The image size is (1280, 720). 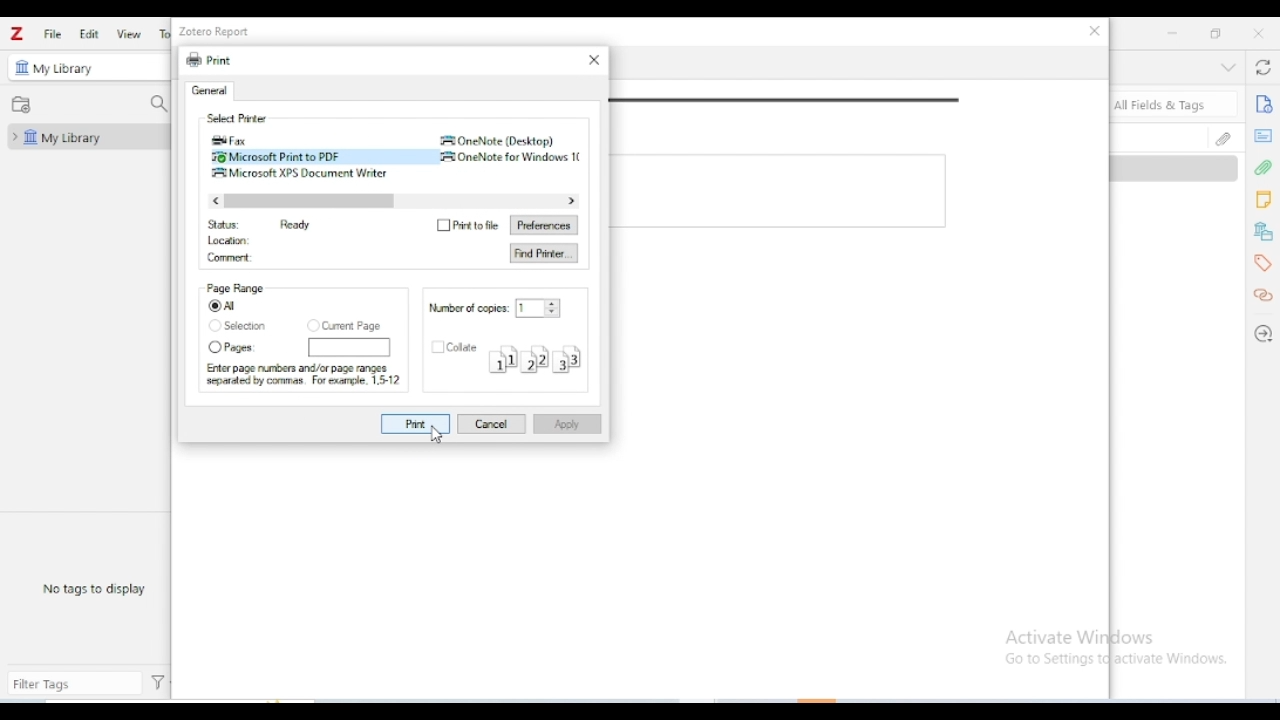 I want to click on locate, so click(x=1262, y=336).